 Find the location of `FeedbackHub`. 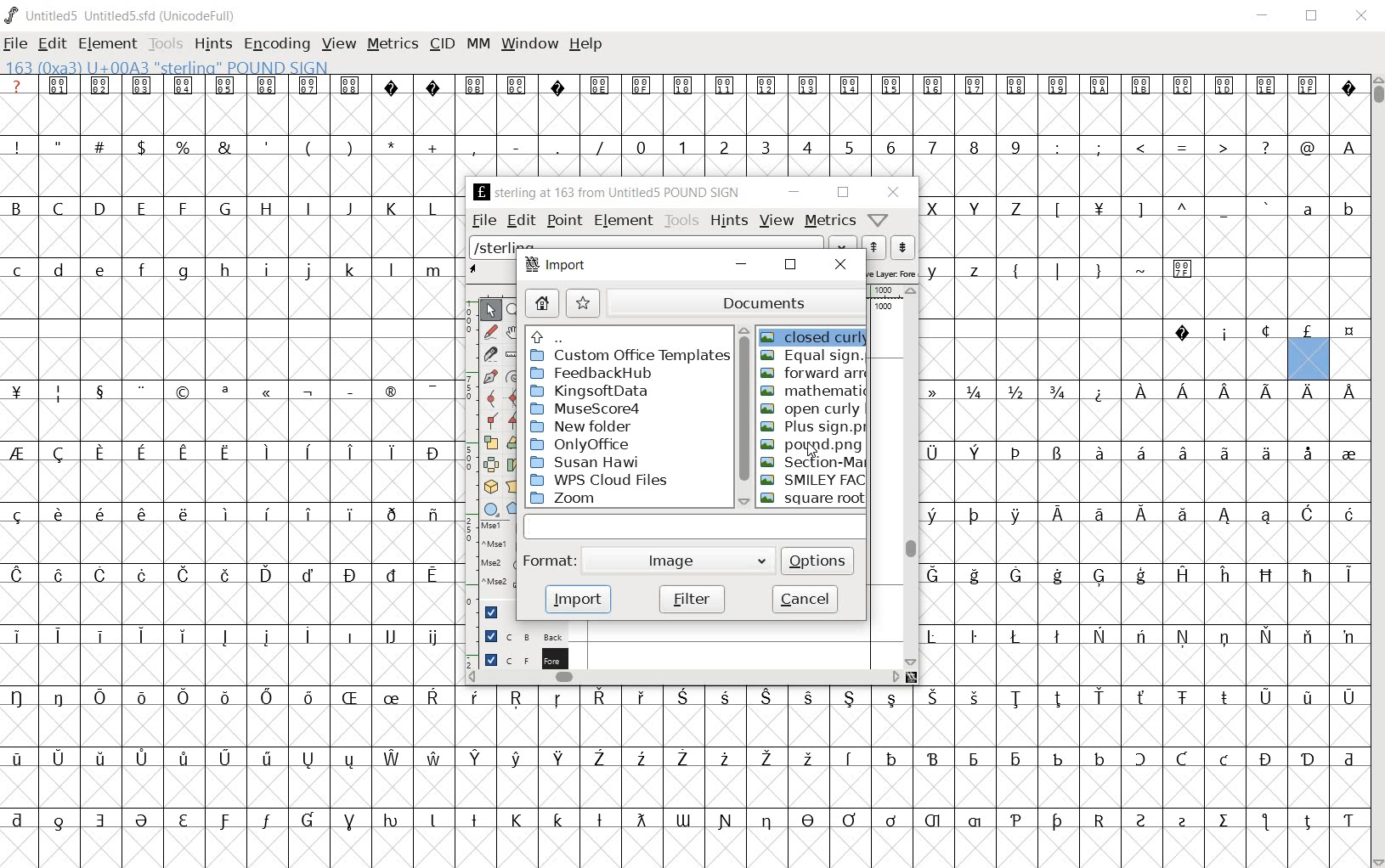

FeedbackHub is located at coordinates (598, 372).